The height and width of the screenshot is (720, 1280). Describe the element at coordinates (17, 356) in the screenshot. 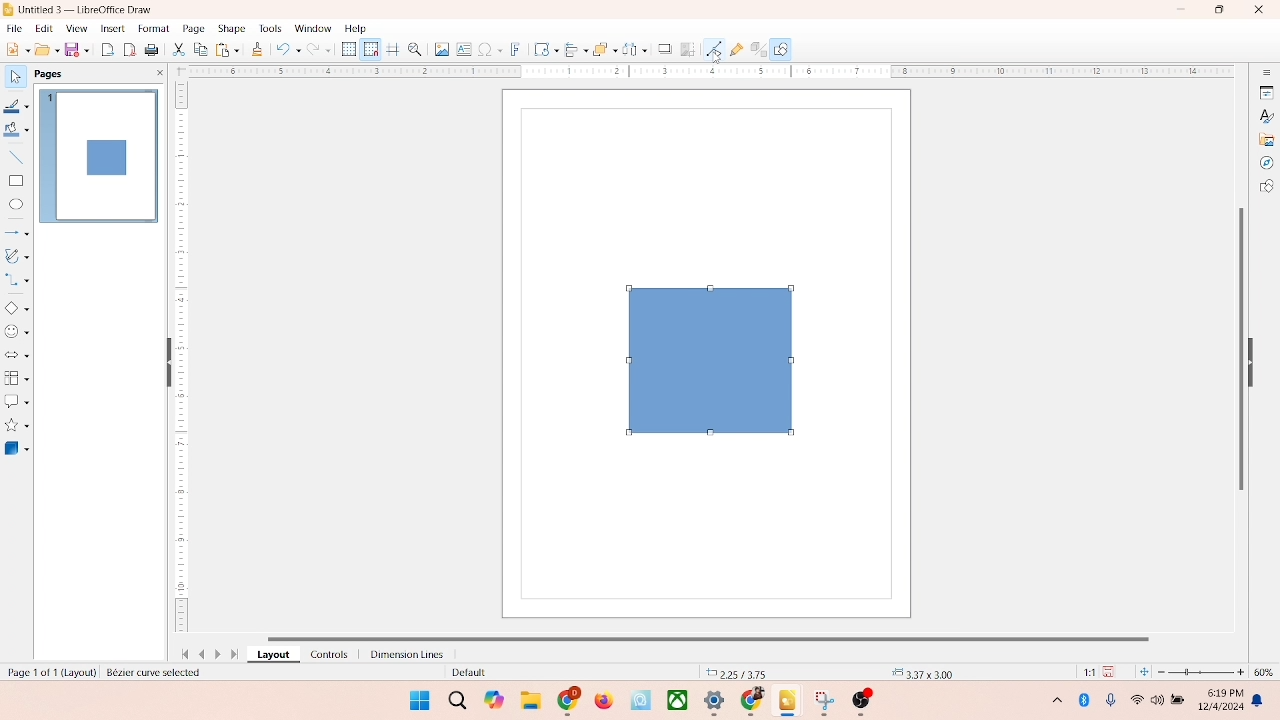

I see `block arrow` at that location.